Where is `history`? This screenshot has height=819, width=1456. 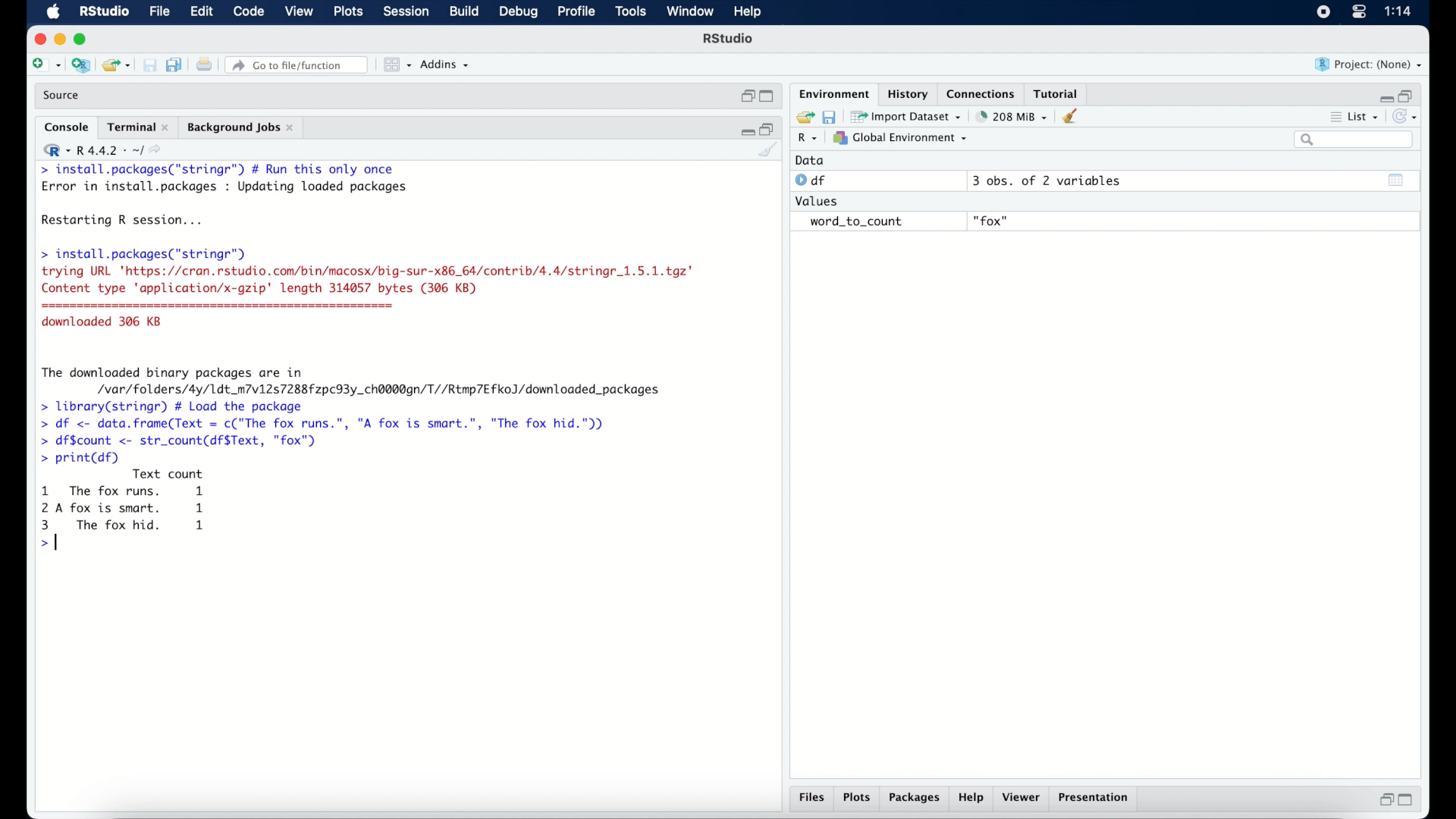 history is located at coordinates (906, 94).